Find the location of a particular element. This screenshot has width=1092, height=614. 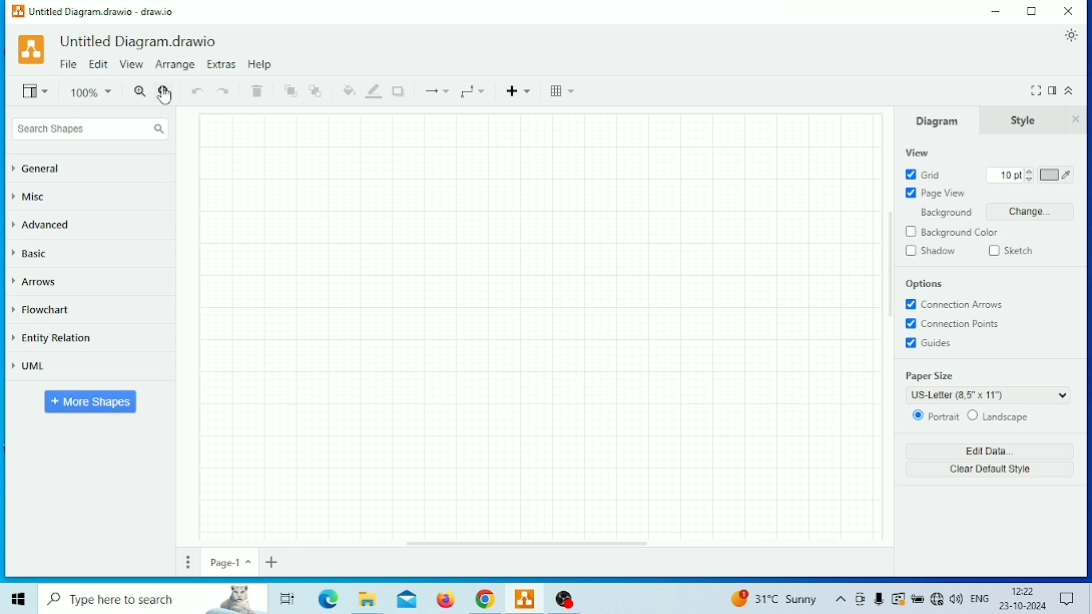

Landscape is located at coordinates (997, 416).